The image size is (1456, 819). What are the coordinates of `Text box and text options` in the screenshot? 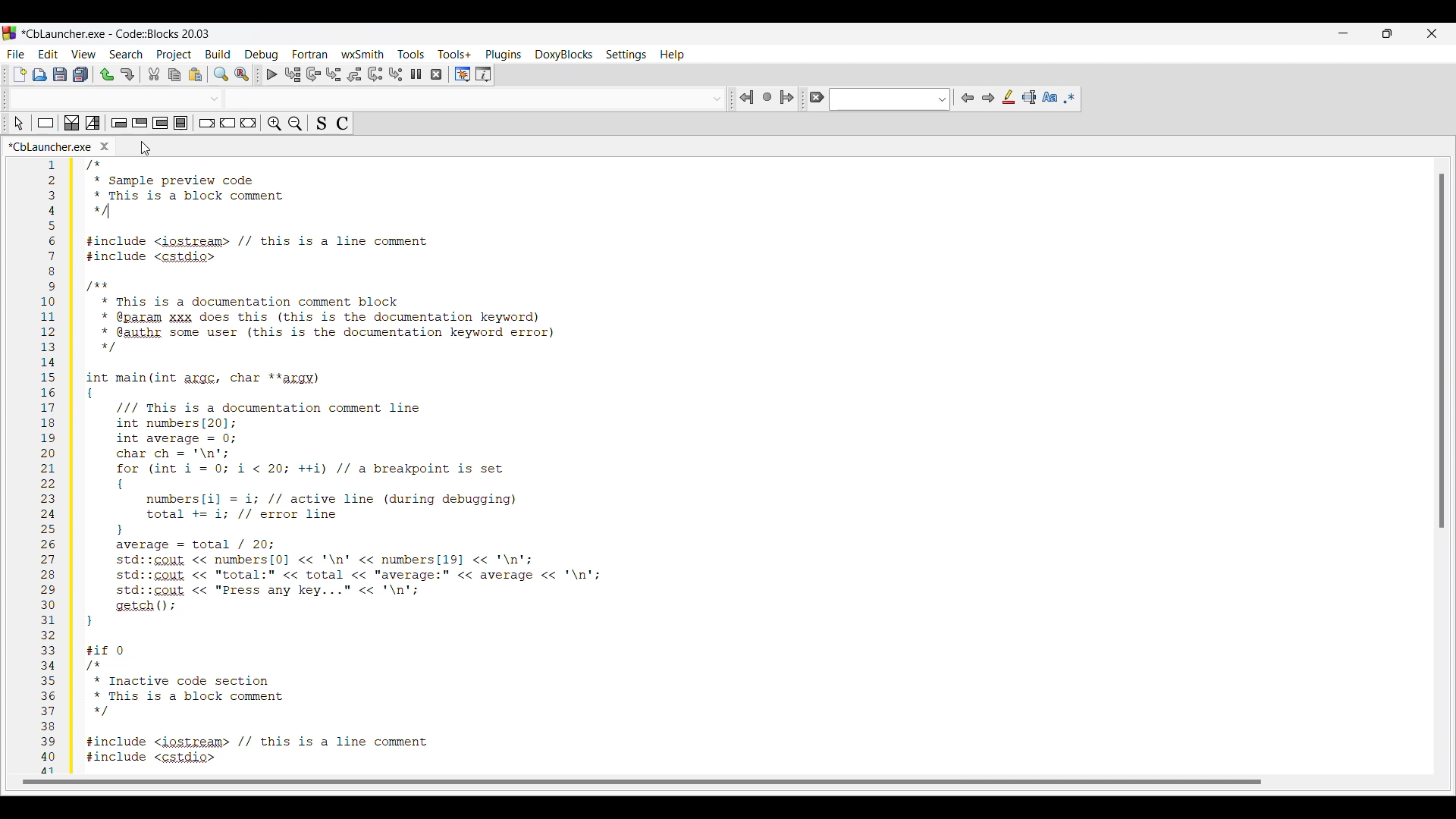 It's located at (890, 99).